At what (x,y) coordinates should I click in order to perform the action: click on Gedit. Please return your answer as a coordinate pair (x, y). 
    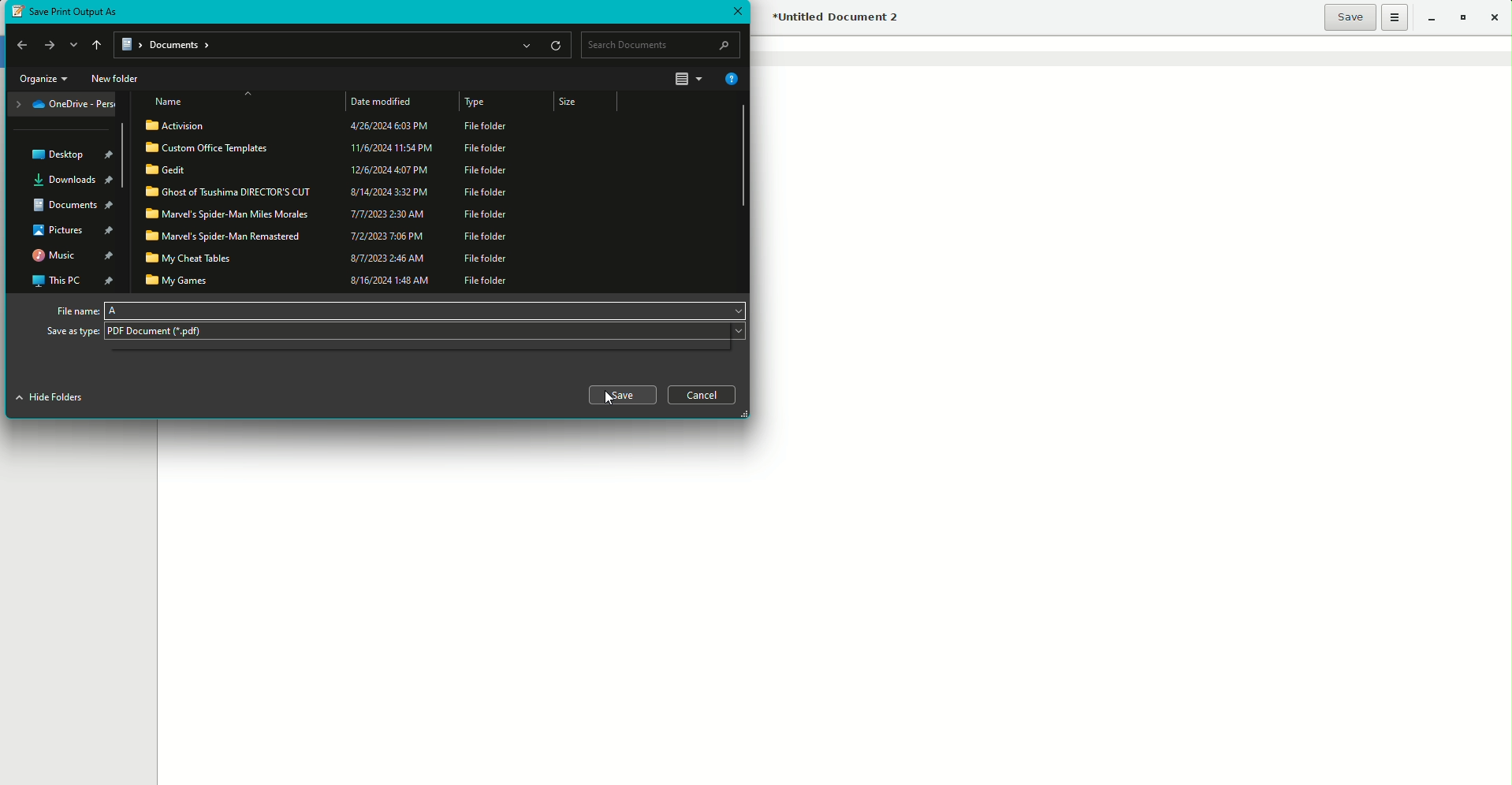
    Looking at the image, I should click on (329, 169).